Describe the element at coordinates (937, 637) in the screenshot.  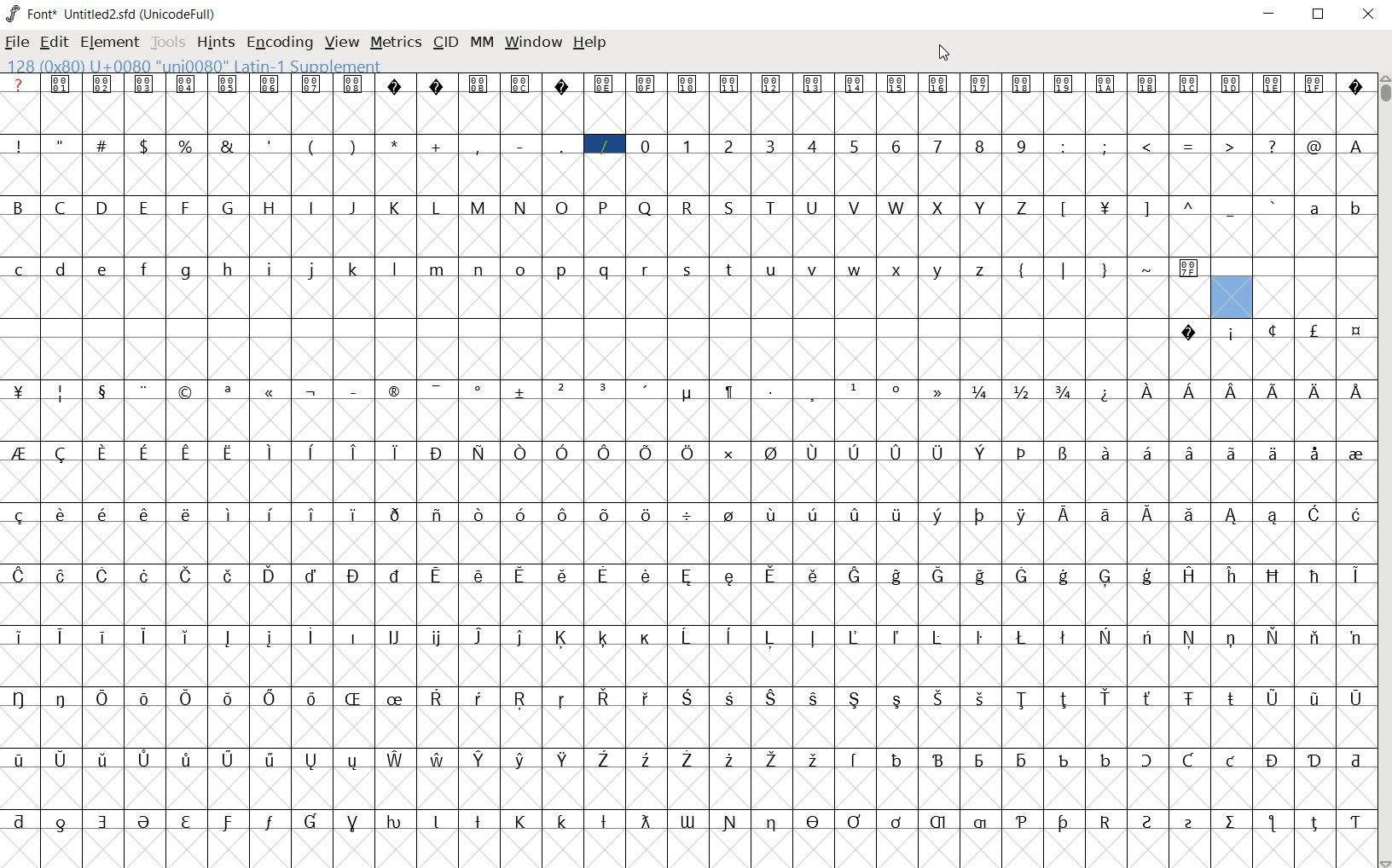
I see `glyph` at that location.